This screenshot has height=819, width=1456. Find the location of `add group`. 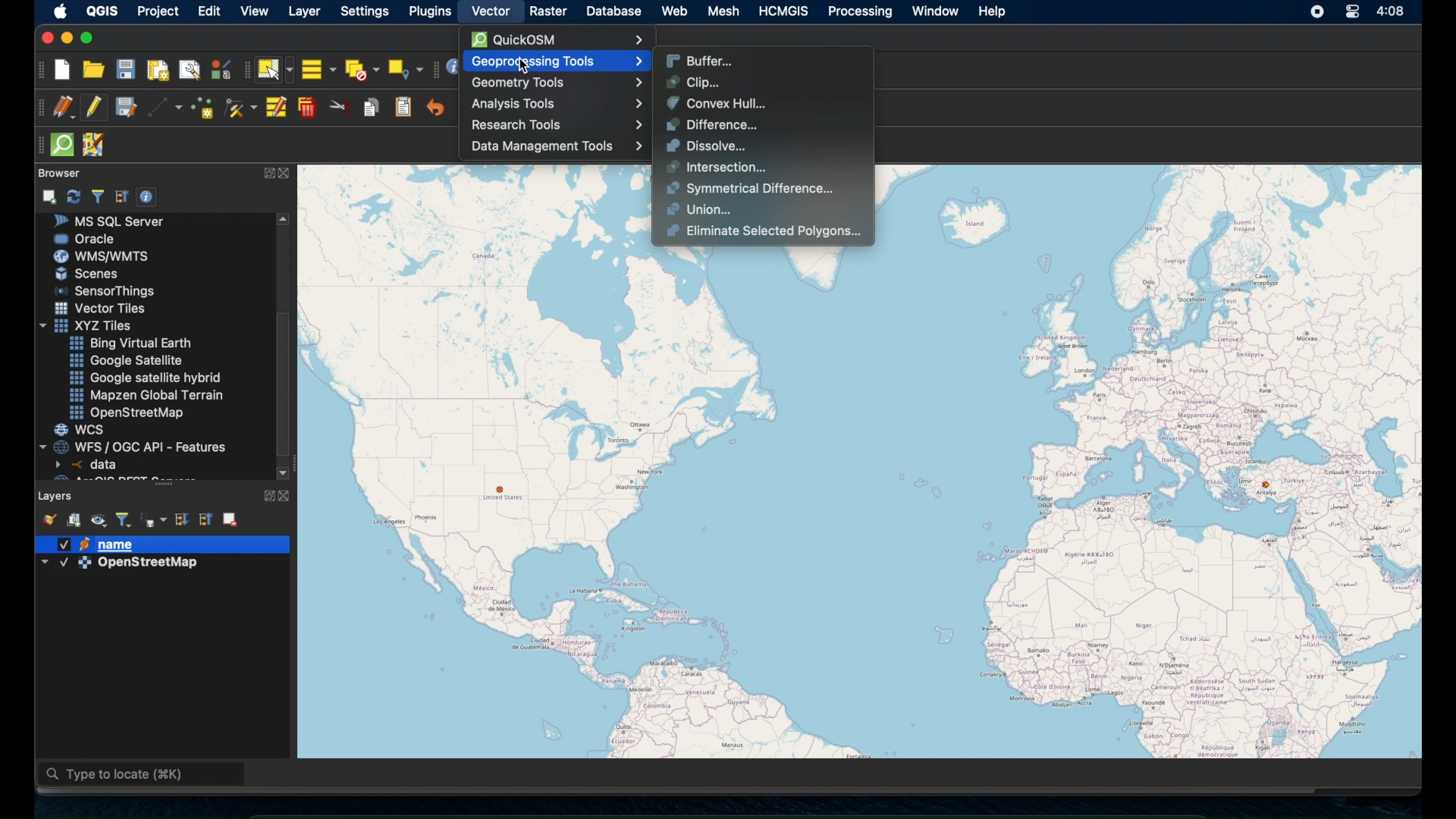

add group is located at coordinates (74, 521).